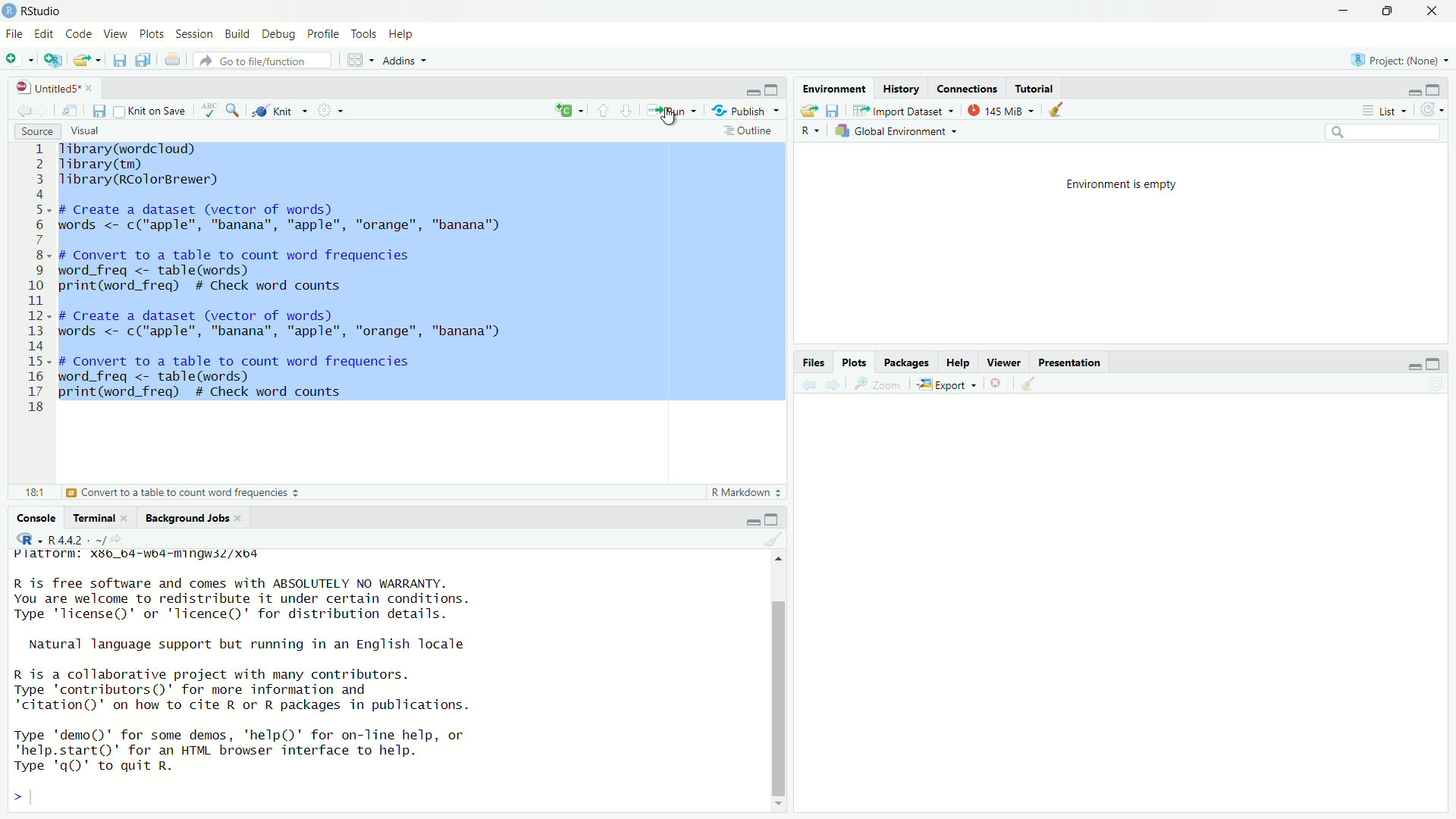 This screenshot has height=819, width=1456. What do you see at coordinates (208, 111) in the screenshot?
I see `Check Spelling` at bounding box center [208, 111].